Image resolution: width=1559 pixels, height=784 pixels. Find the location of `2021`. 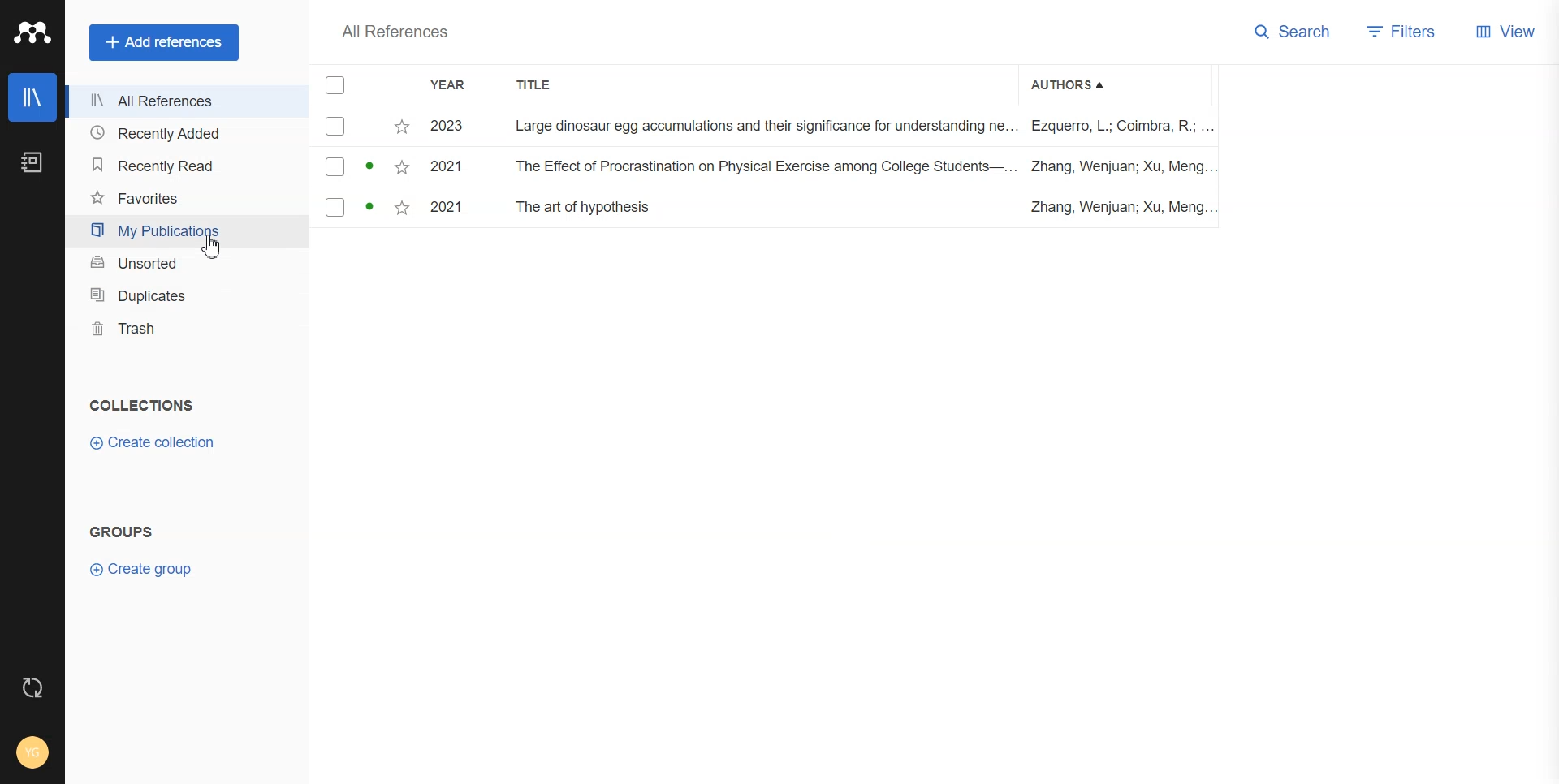

2021 is located at coordinates (445, 167).